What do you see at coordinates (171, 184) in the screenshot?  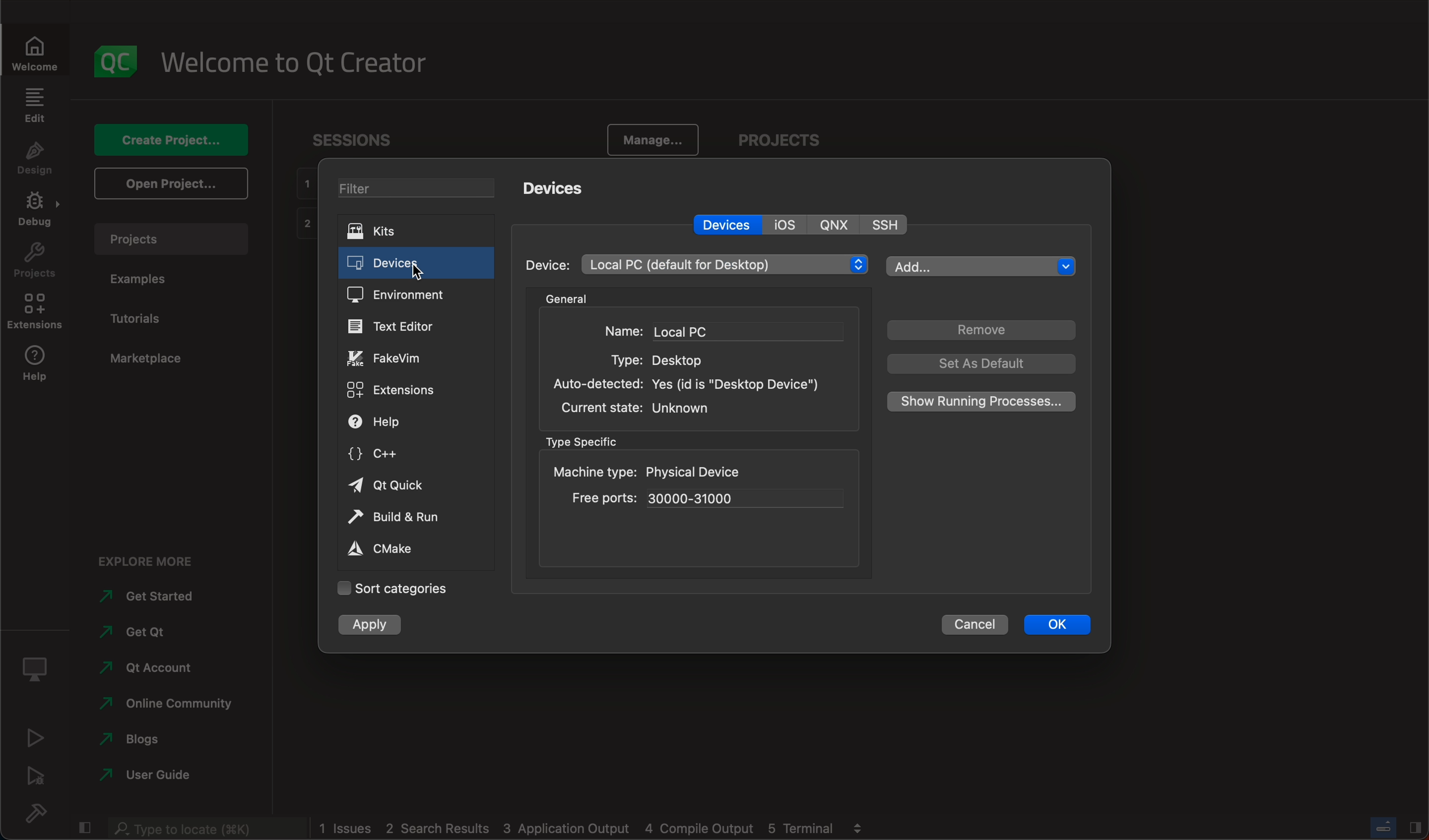 I see `open project` at bounding box center [171, 184].